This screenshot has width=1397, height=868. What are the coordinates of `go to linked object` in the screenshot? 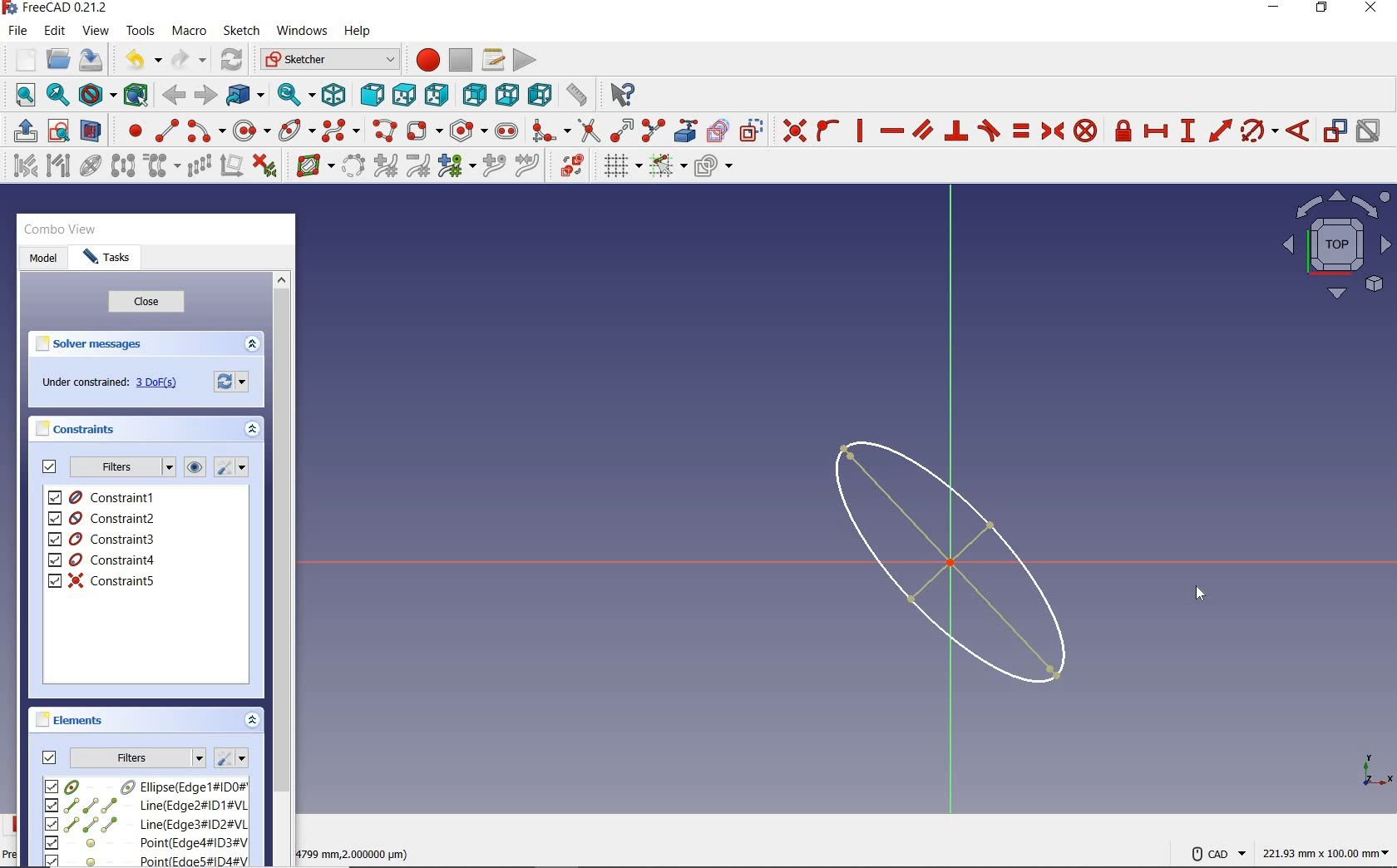 It's located at (245, 94).